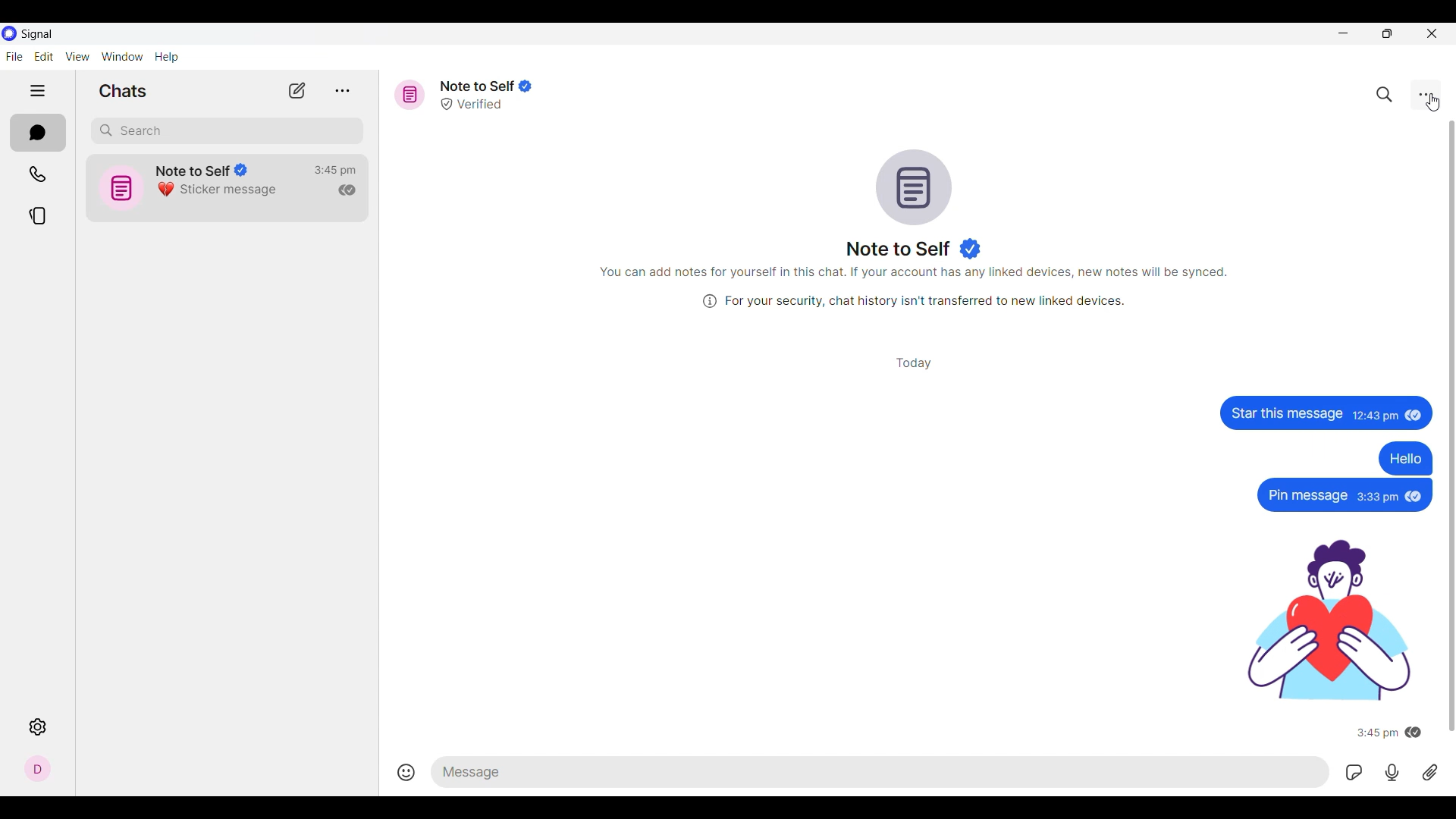 The width and height of the screenshot is (1456, 819). Describe the element at coordinates (227, 130) in the screenshot. I see `Search chat` at that location.